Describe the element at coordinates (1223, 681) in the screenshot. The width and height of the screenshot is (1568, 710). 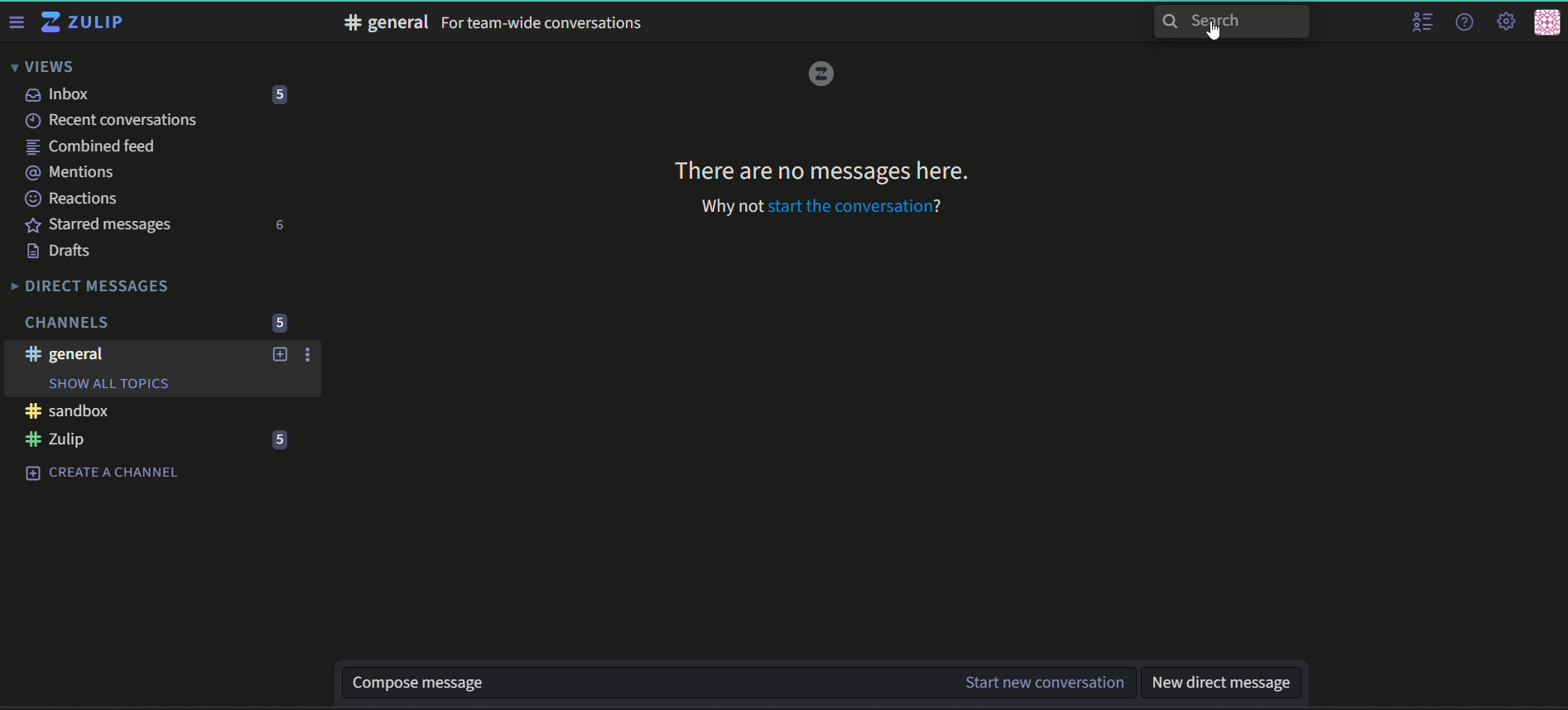
I see `textbox` at that location.